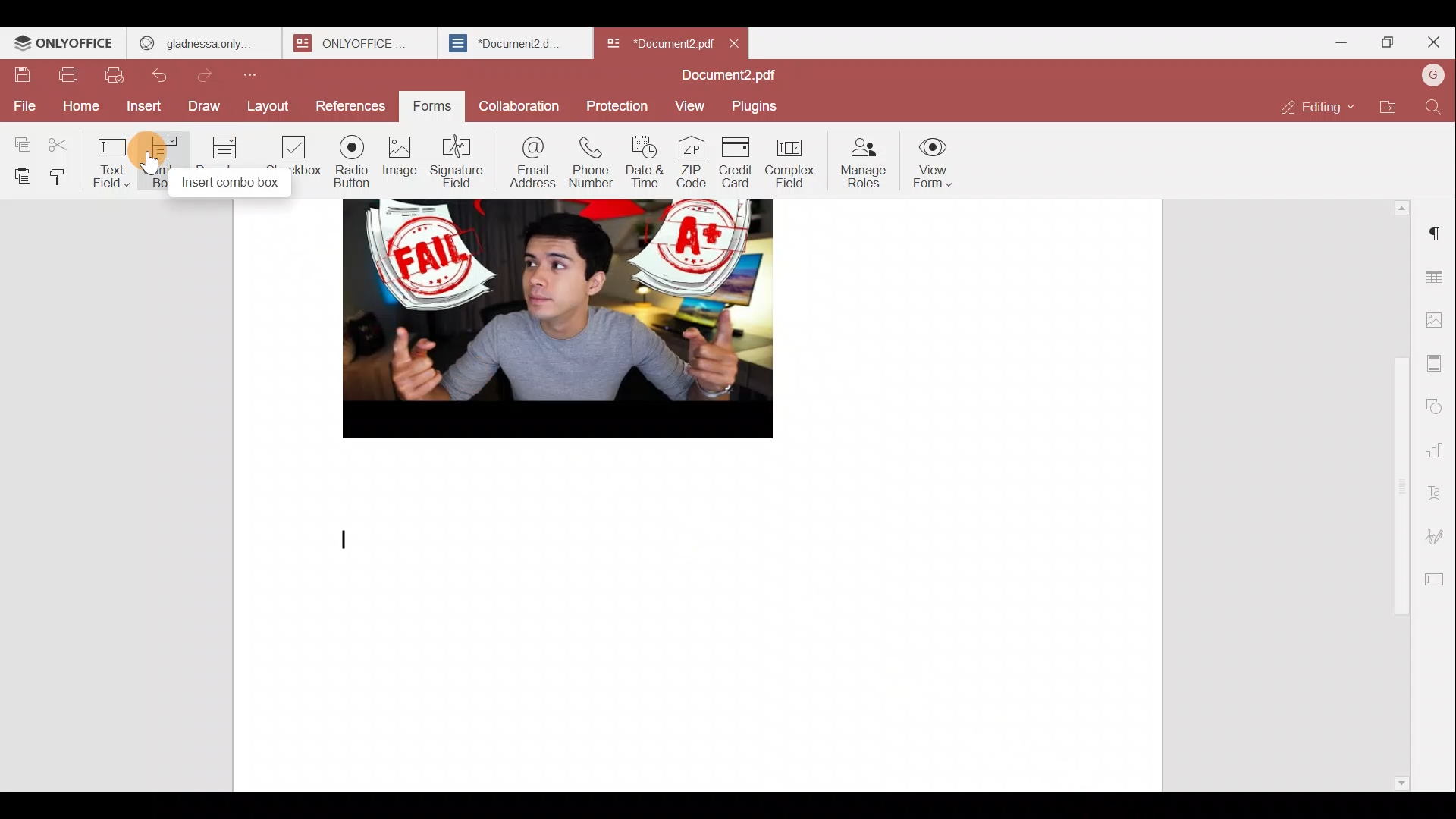 The image size is (1456, 819). Describe the element at coordinates (792, 165) in the screenshot. I see `Complex field` at that location.